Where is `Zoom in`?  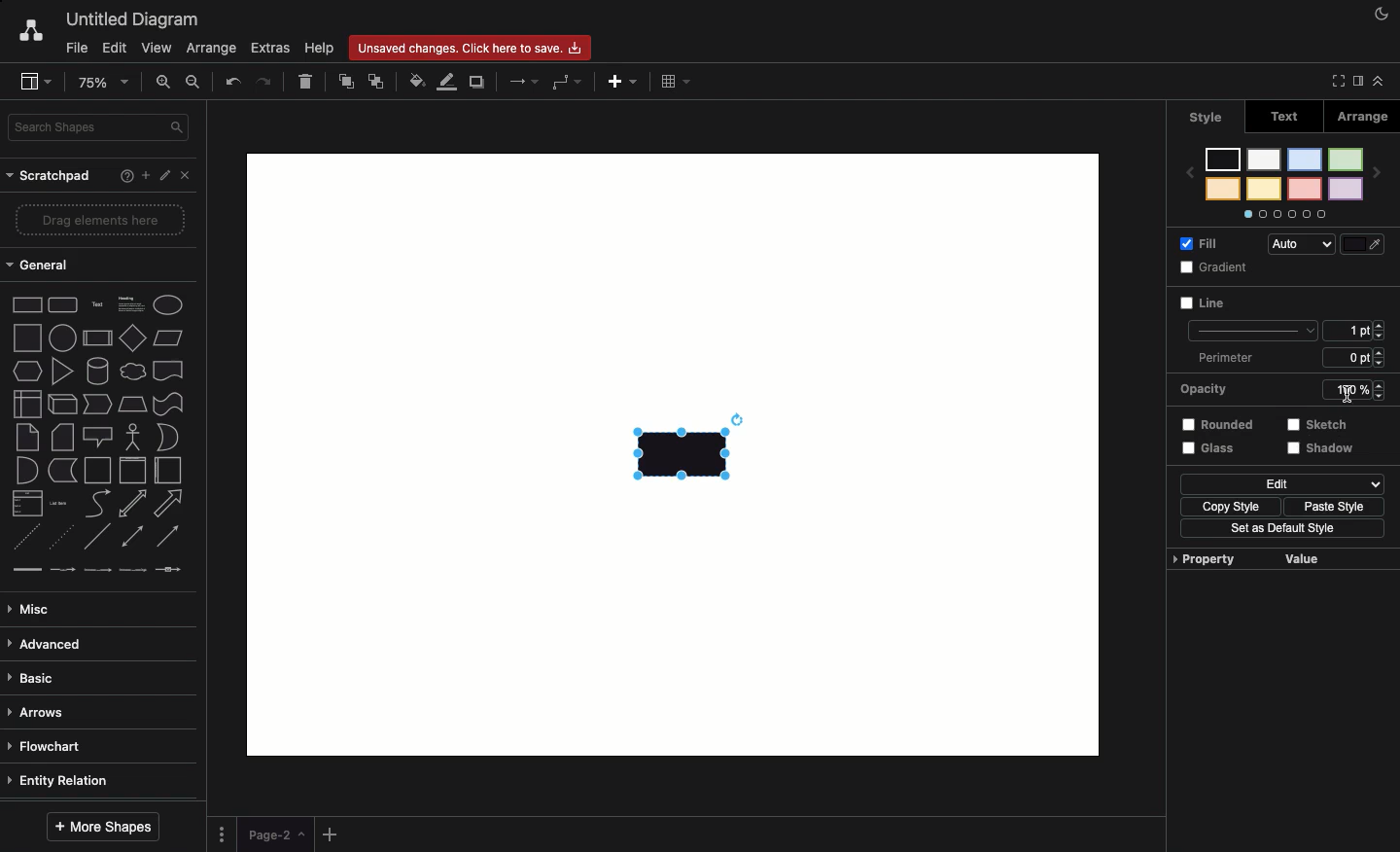
Zoom in is located at coordinates (164, 85).